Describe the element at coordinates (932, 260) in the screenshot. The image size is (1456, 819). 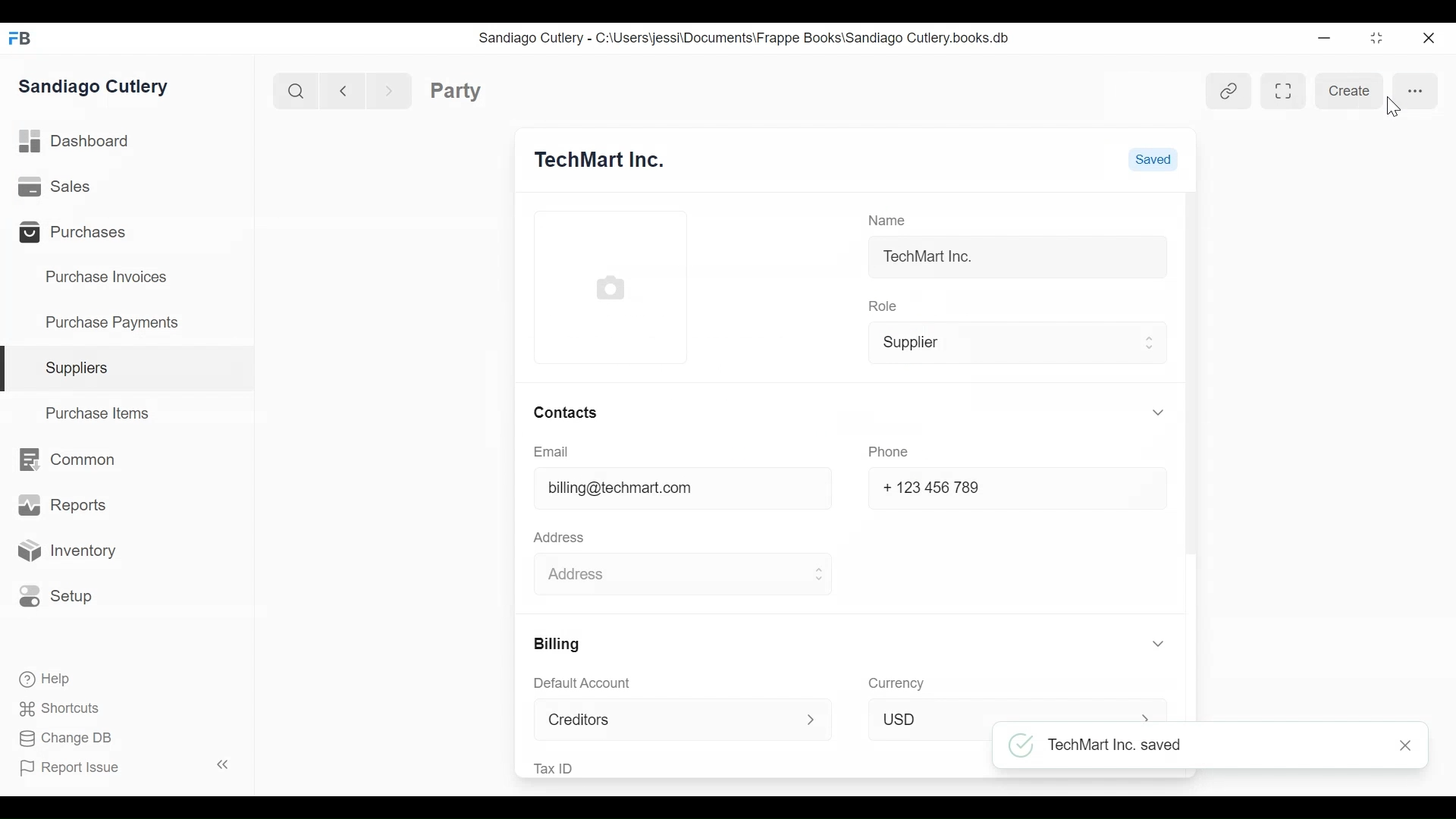
I see `TechMart Inc.` at that location.